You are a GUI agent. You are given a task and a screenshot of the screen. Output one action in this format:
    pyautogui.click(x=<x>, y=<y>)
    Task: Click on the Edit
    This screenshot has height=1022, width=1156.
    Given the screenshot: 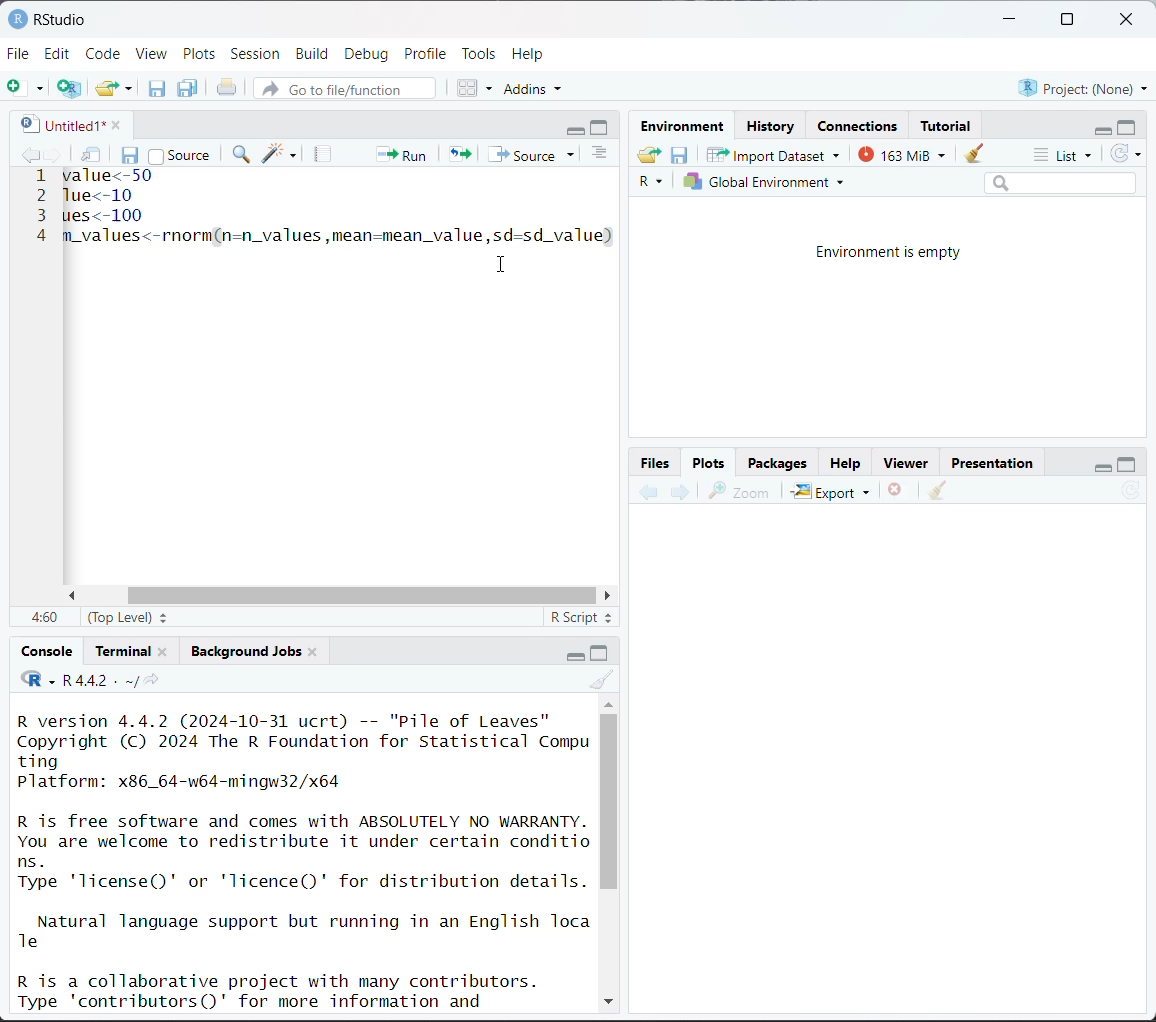 What is the action you would take?
    pyautogui.click(x=60, y=53)
    